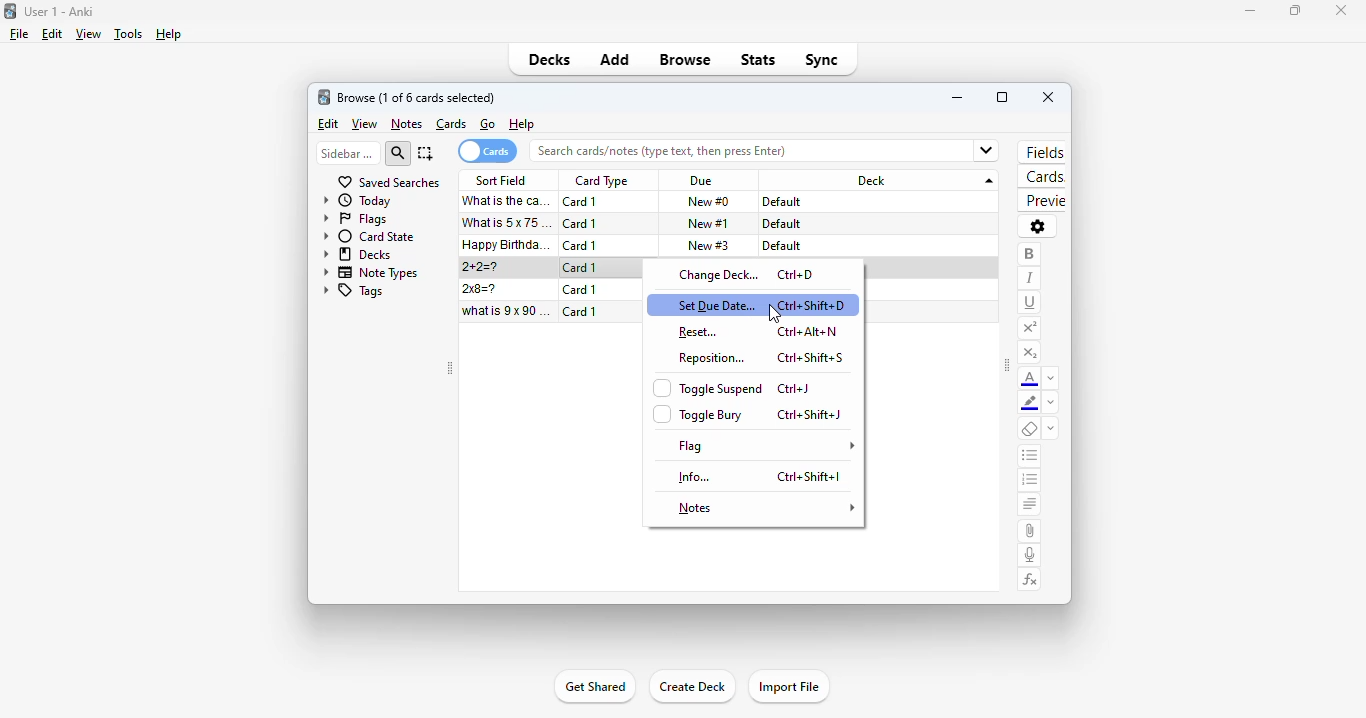 The image size is (1366, 718). I want to click on cards, so click(487, 151).